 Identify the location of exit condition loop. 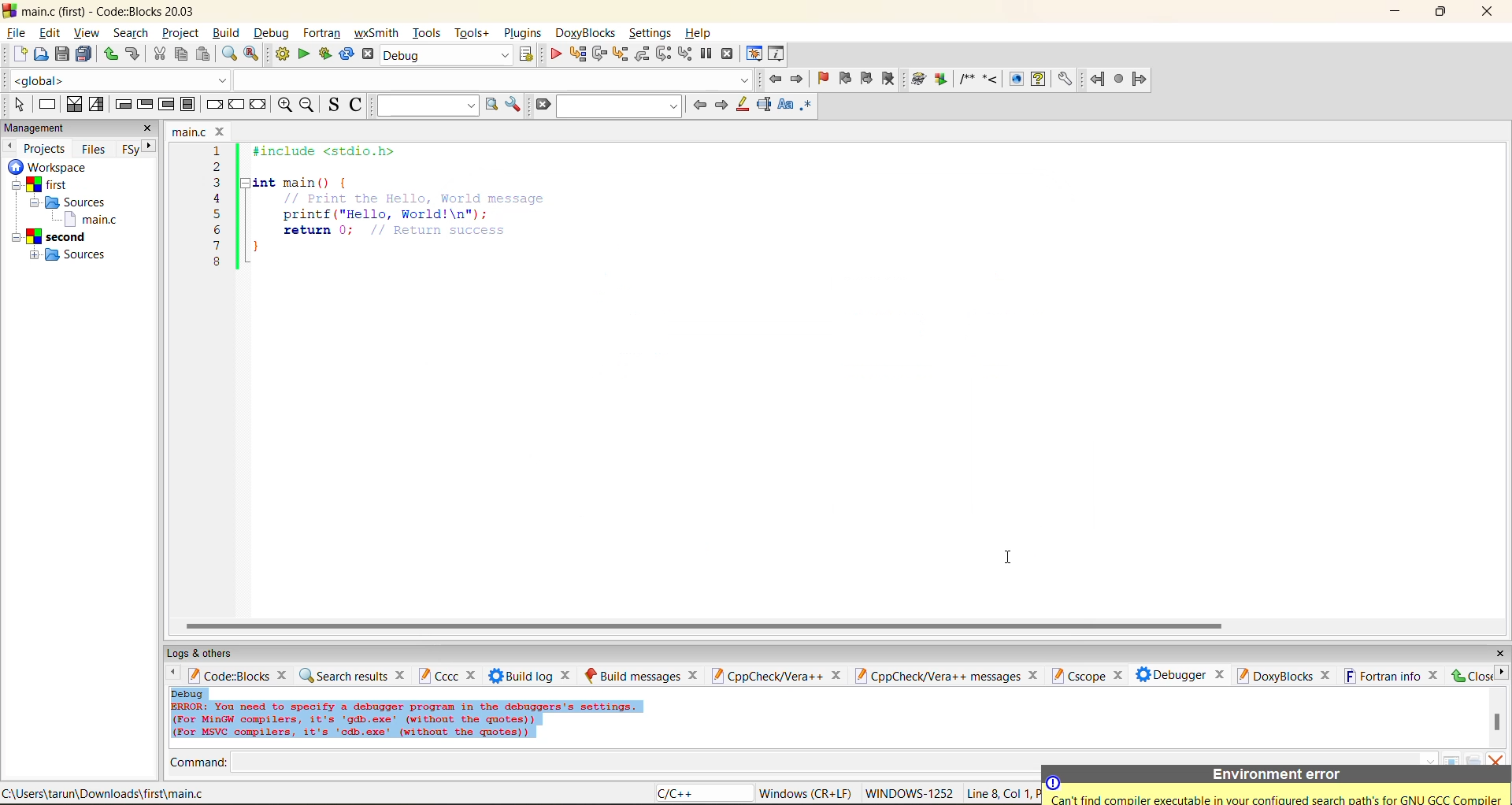
(145, 106).